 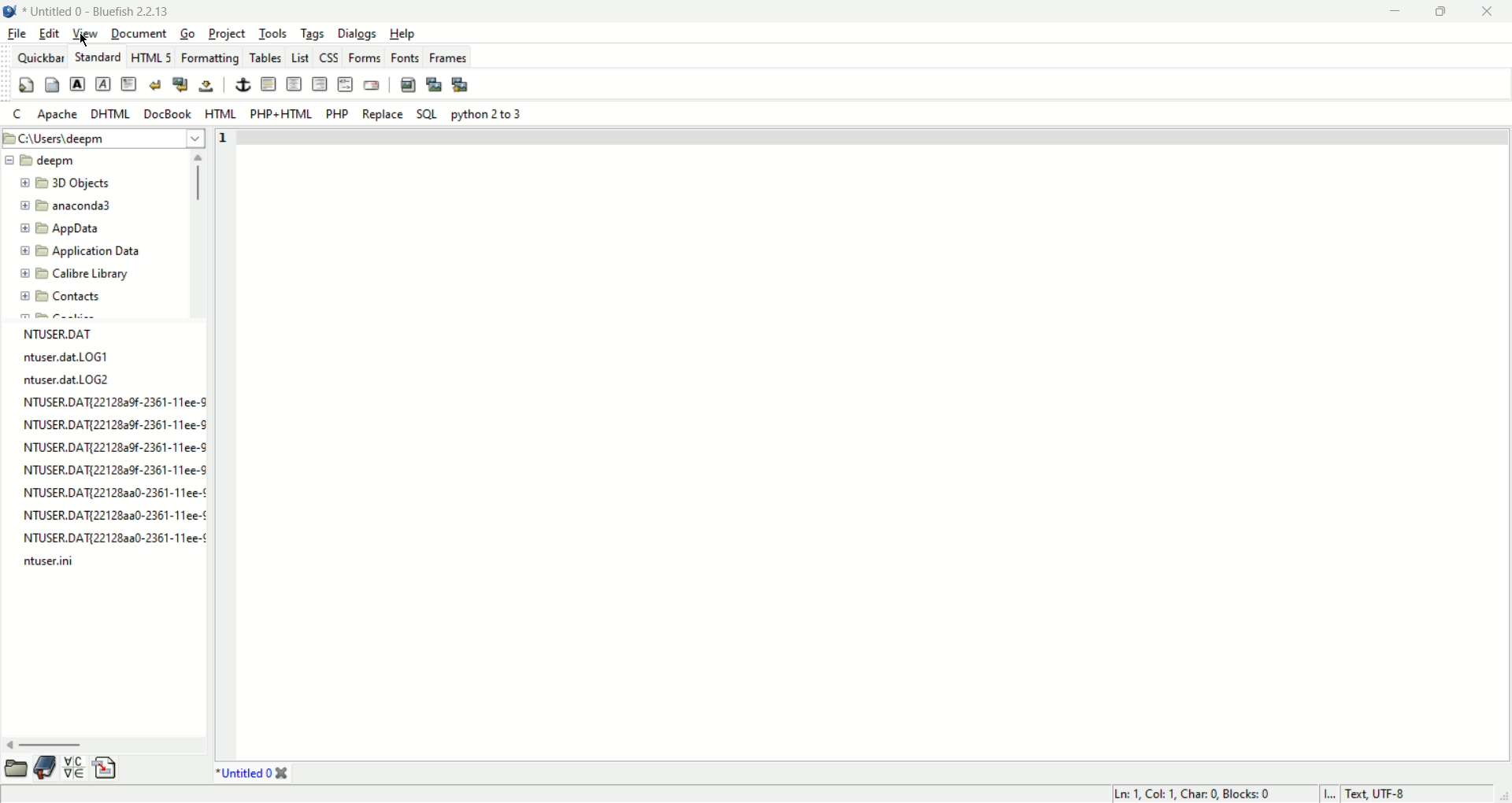 What do you see at coordinates (68, 184) in the screenshot?
I see `3D object` at bounding box center [68, 184].